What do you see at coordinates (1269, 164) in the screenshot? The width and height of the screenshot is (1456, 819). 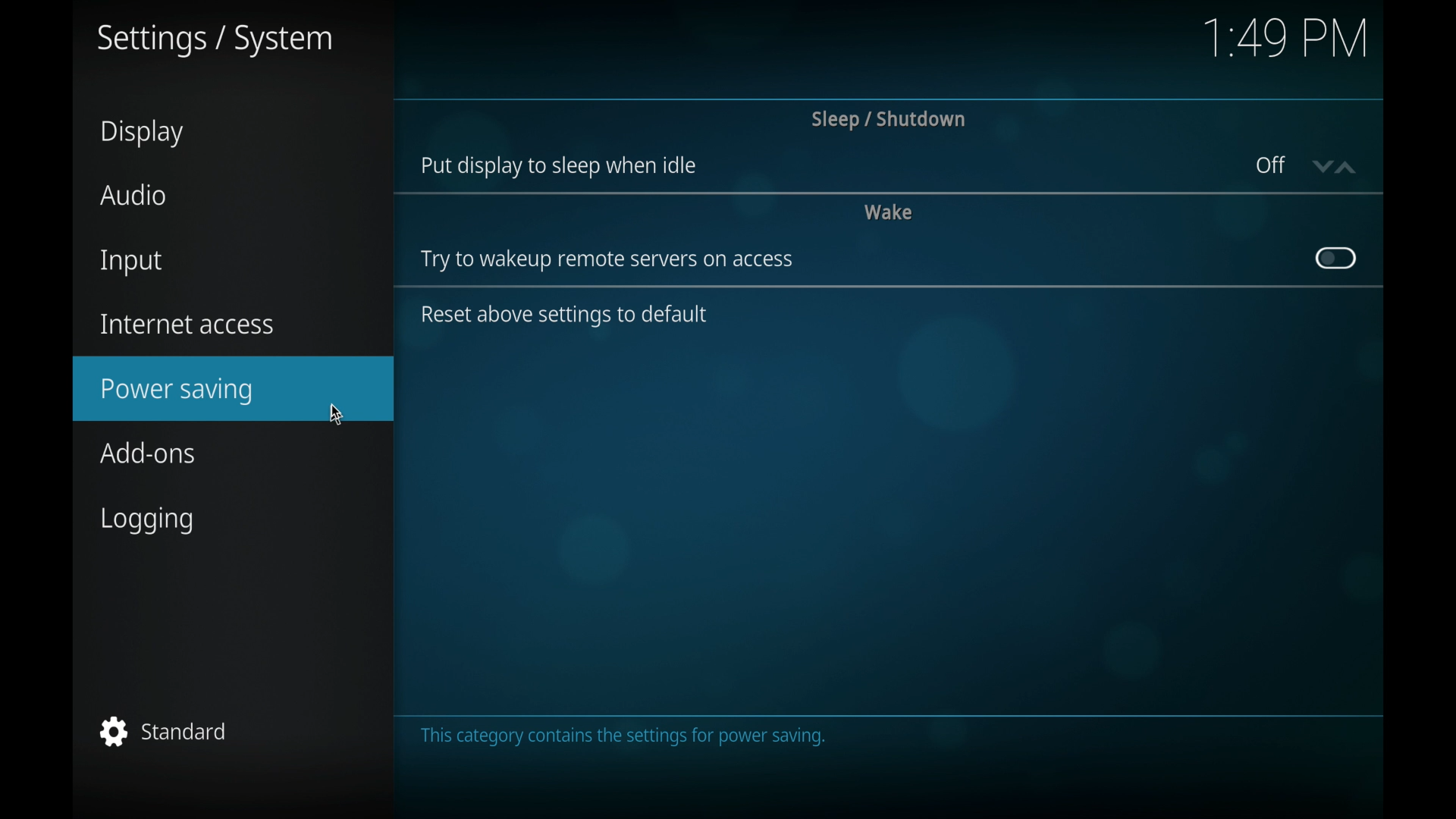 I see `off` at bounding box center [1269, 164].